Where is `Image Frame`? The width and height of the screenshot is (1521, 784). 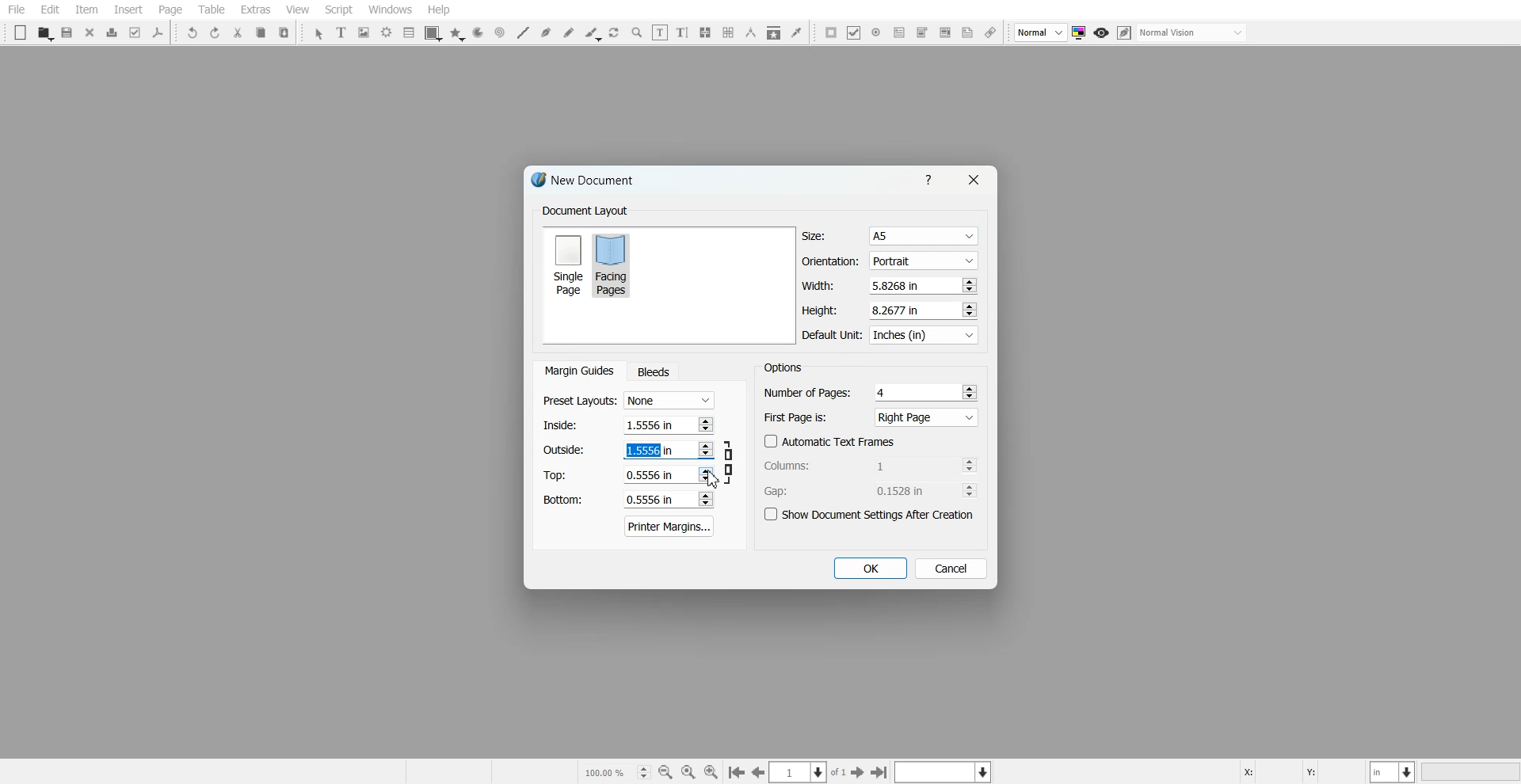
Image Frame is located at coordinates (364, 32).